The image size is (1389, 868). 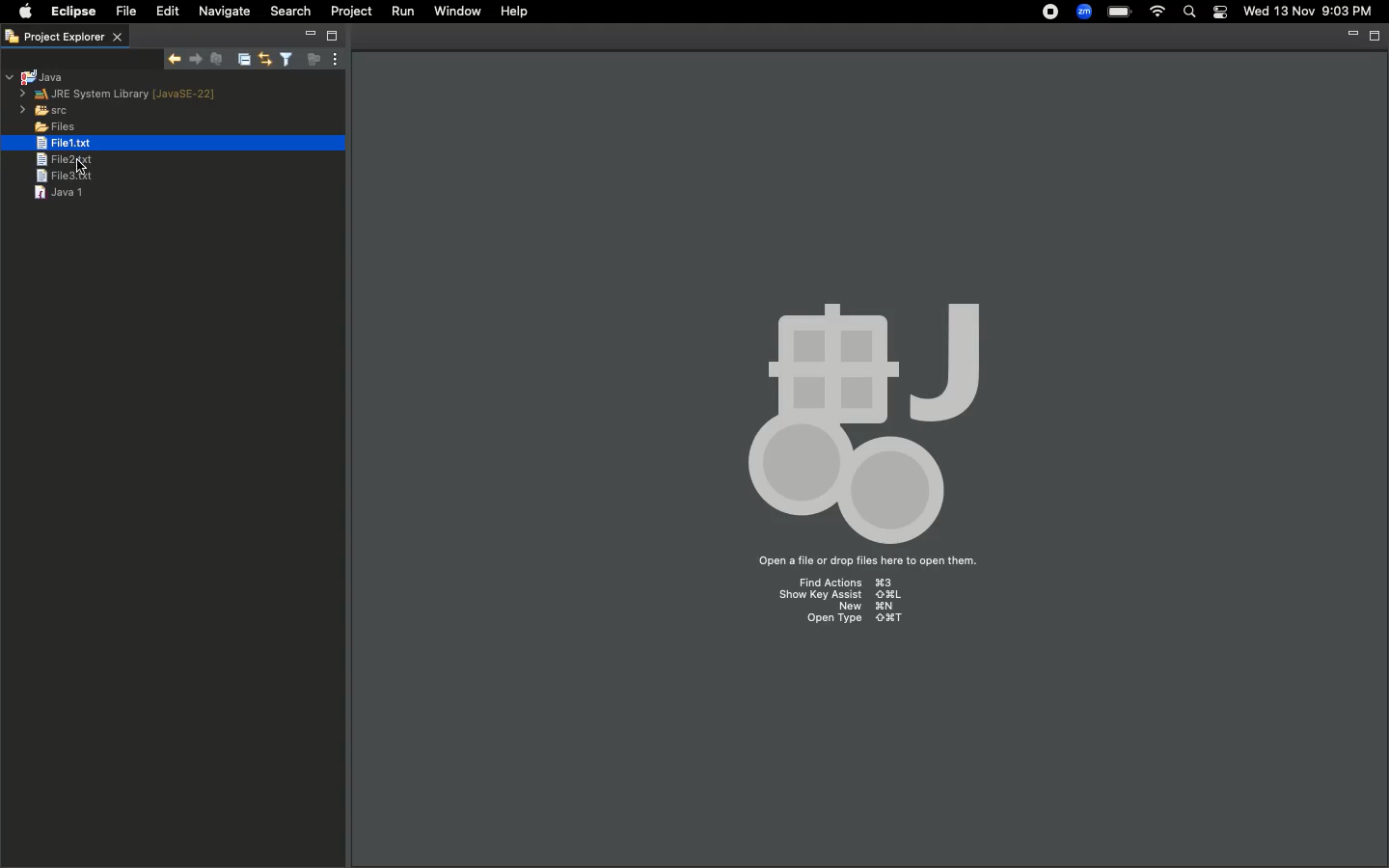 What do you see at coordinates (1118, 12) in the screenshot?
I see `Charge` at bounding box center [1118, 12].